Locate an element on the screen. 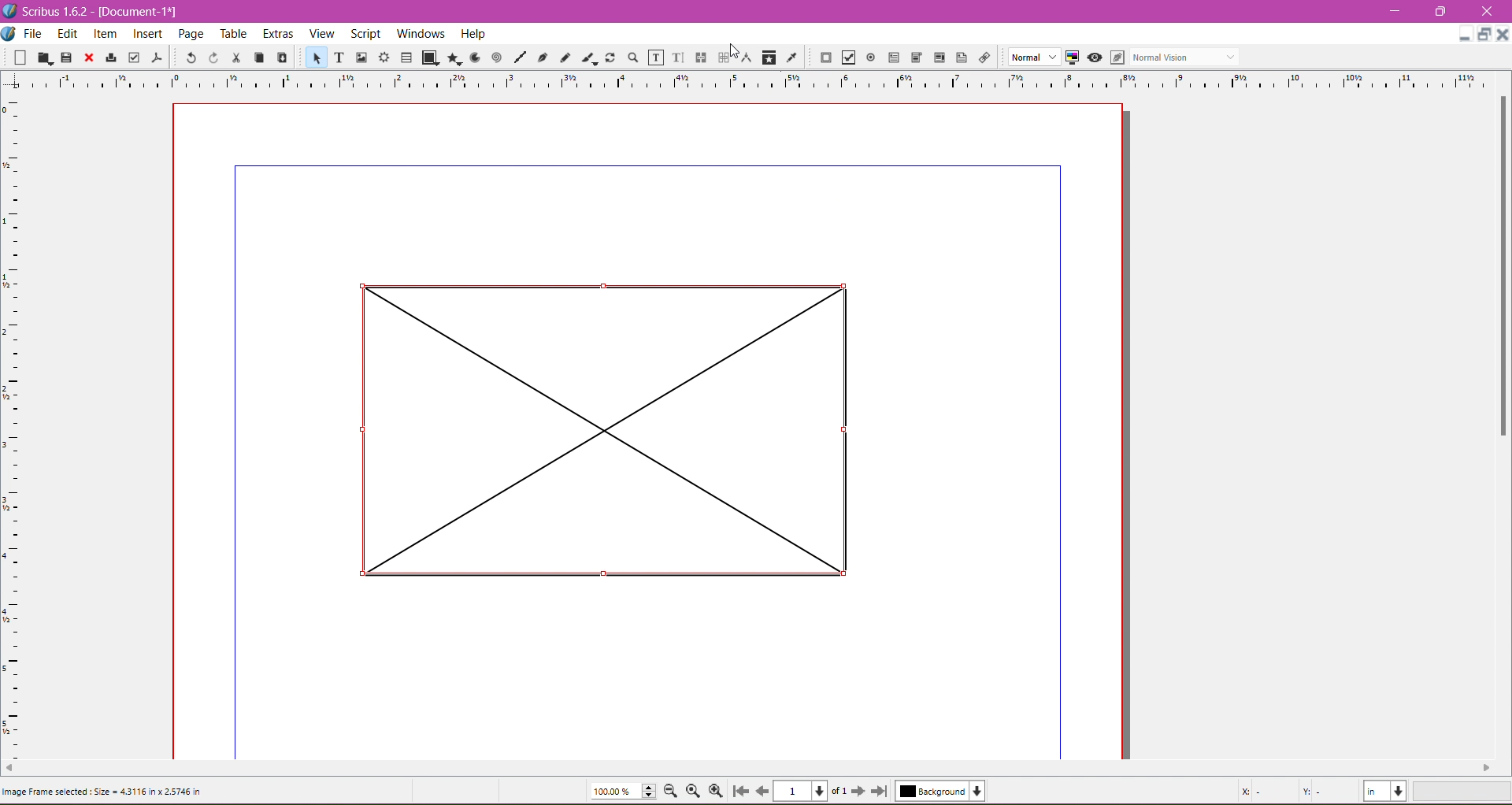  Go to next page is located at coordinates (861, 792).